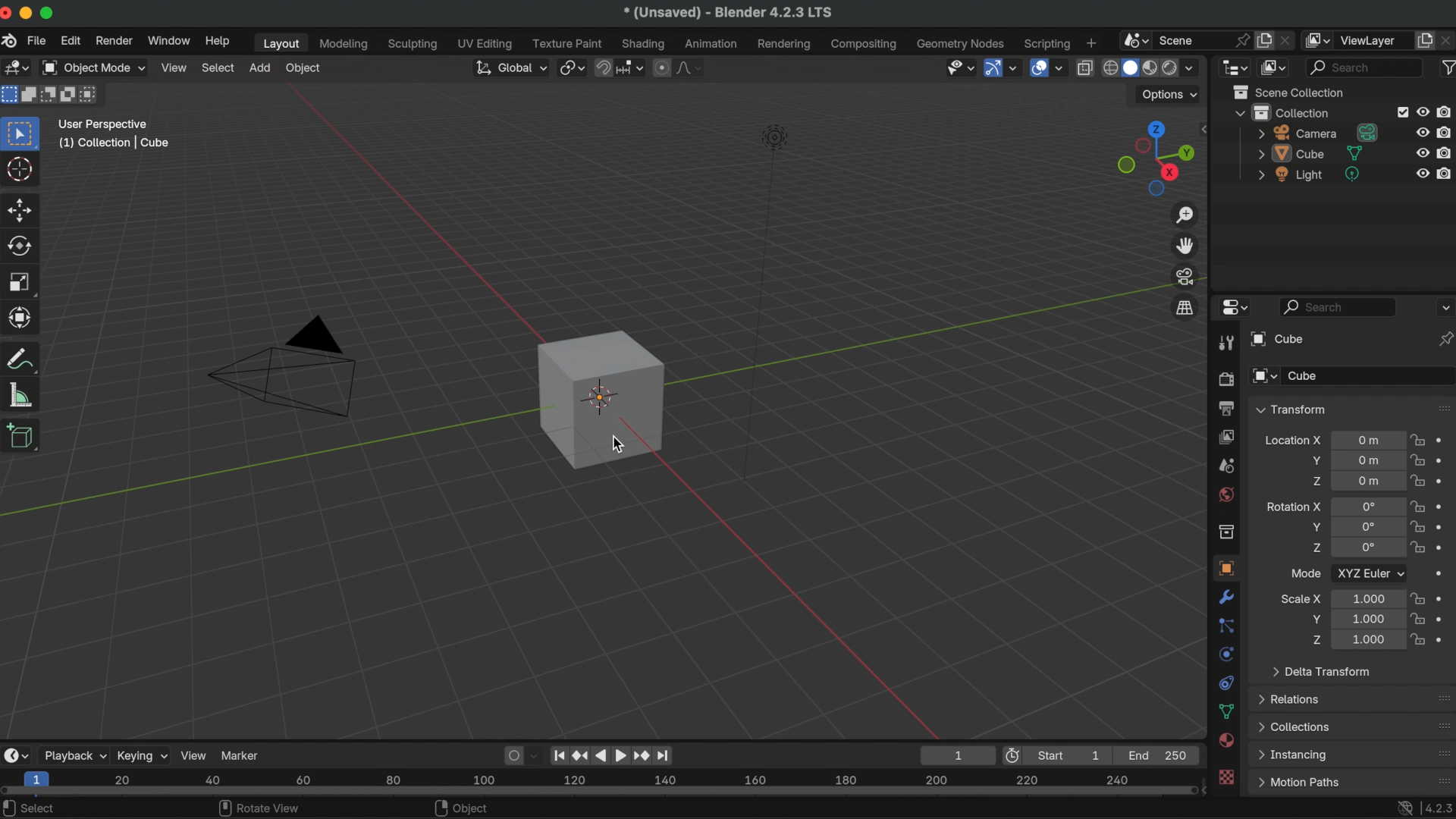 The image size is (1456, 819). Describe the element at coordinates (1418, 460) in the screenshot. I see `lock location` at that location.